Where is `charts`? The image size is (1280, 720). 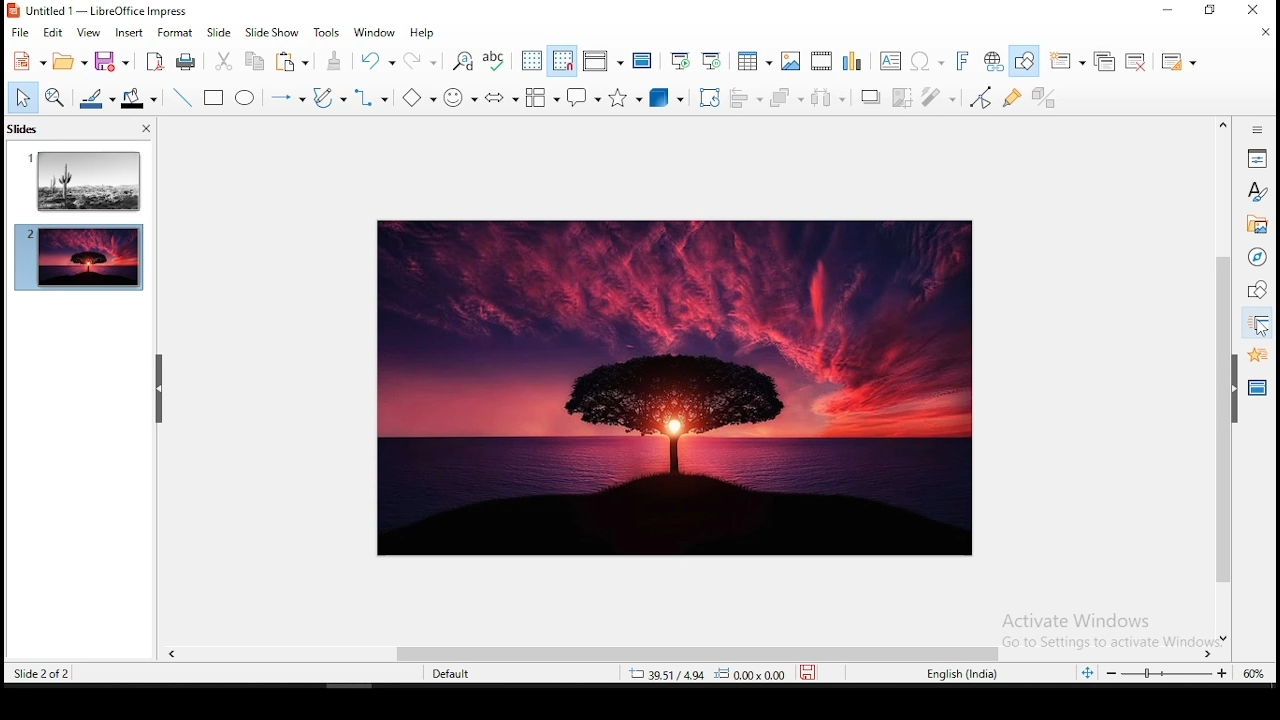
charts is located at coordinates (852, 62).